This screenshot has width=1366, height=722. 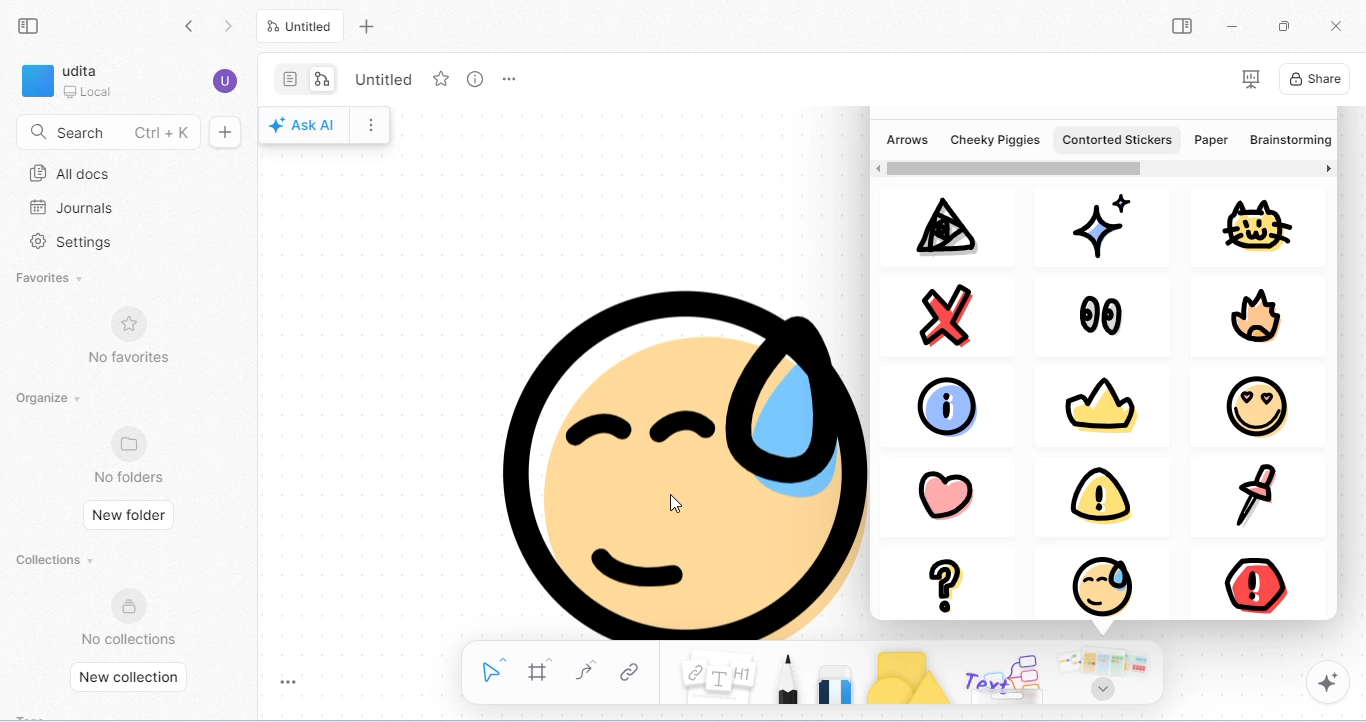 What do you see at coordinates (476, 79) in the screenshot?
I see `view info` at bounding box center [476, 79].